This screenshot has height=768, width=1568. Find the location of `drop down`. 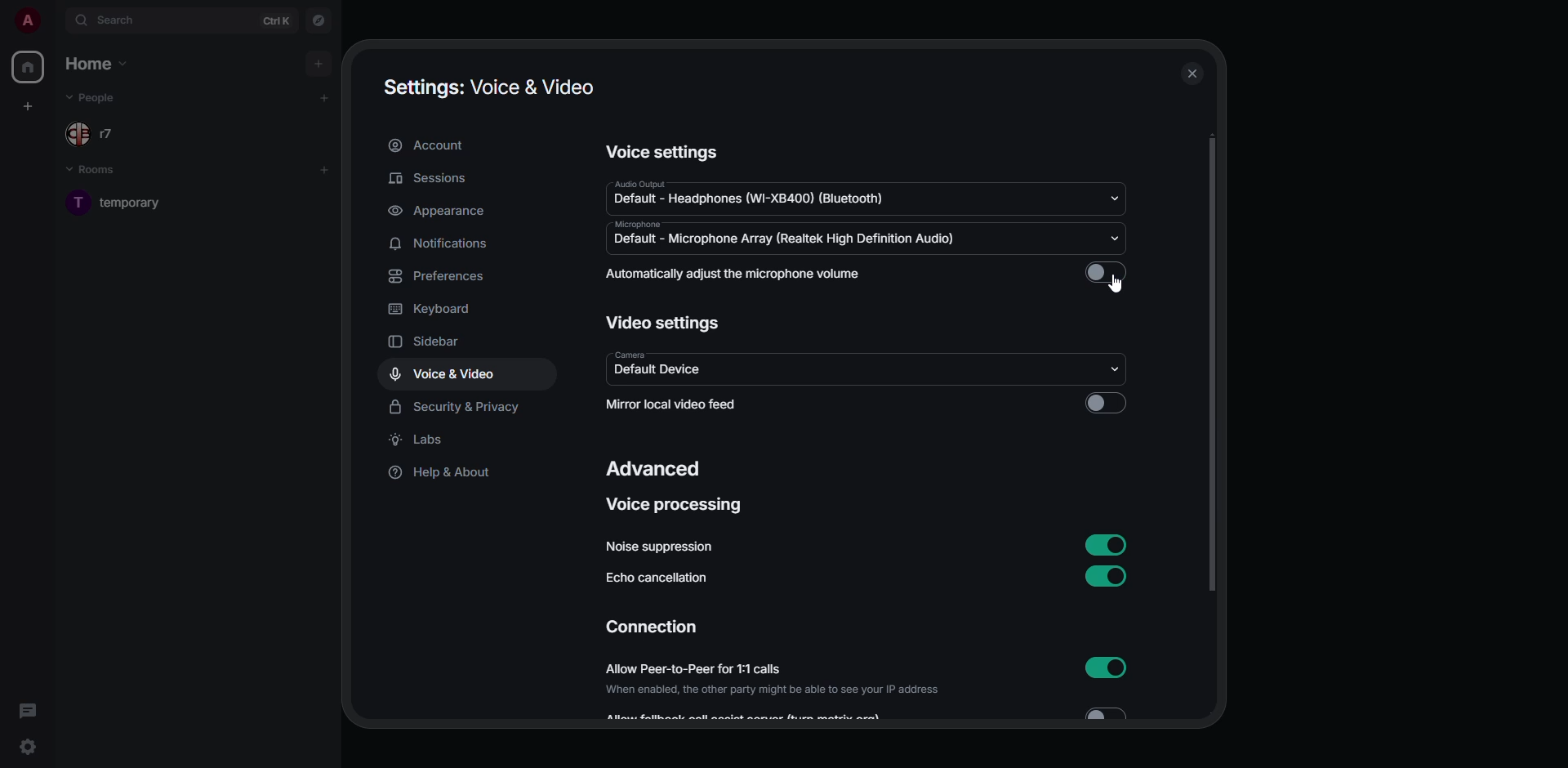

drop down is located at coordinates (1117, 239).